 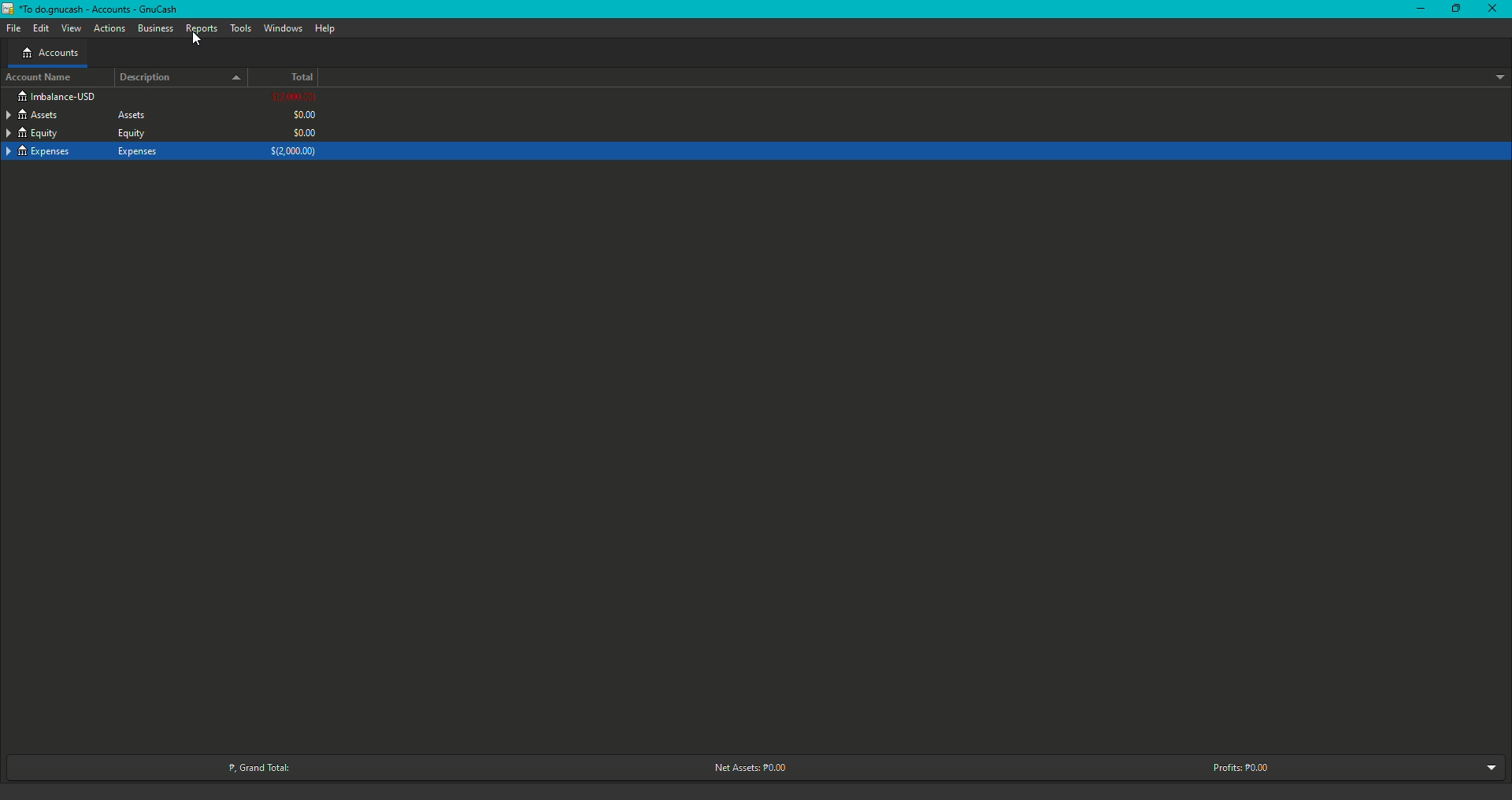 I want to click on Edit, so click(x=39, y=27).